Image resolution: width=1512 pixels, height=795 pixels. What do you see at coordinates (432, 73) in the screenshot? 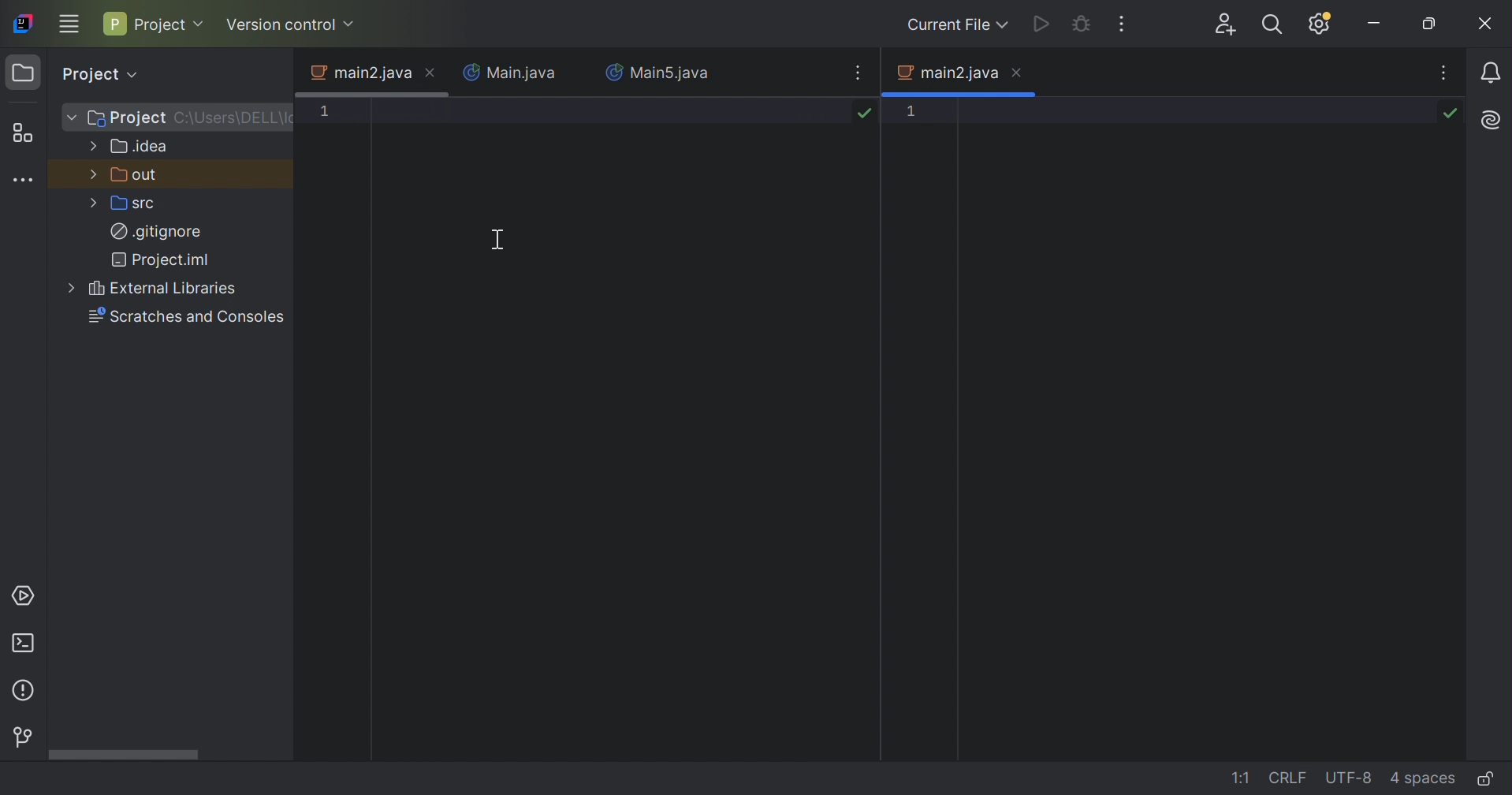
I see `Close` at bounding box center [432, 73].